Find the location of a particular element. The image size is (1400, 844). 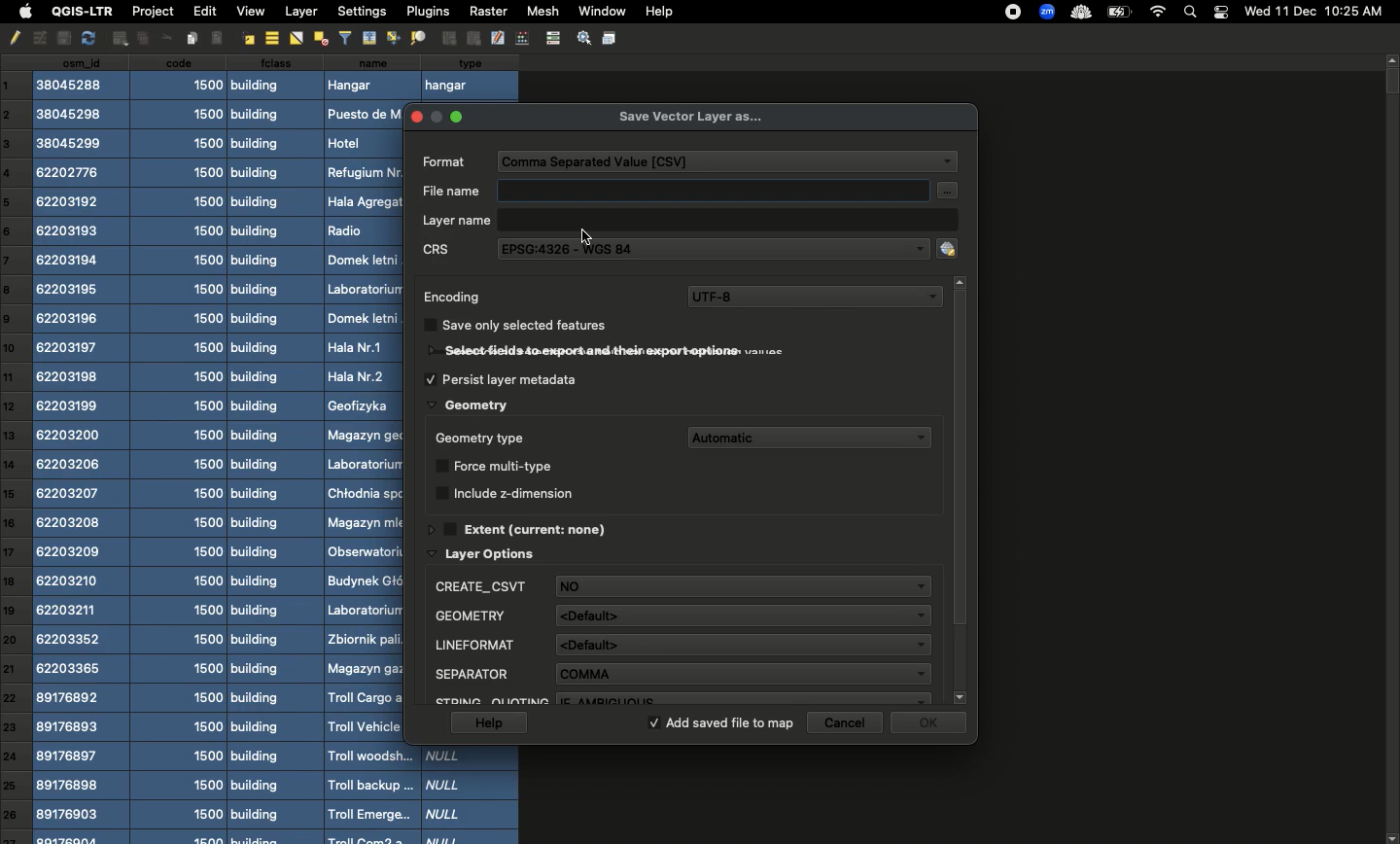

CSV is located at coordinates (731, 159).